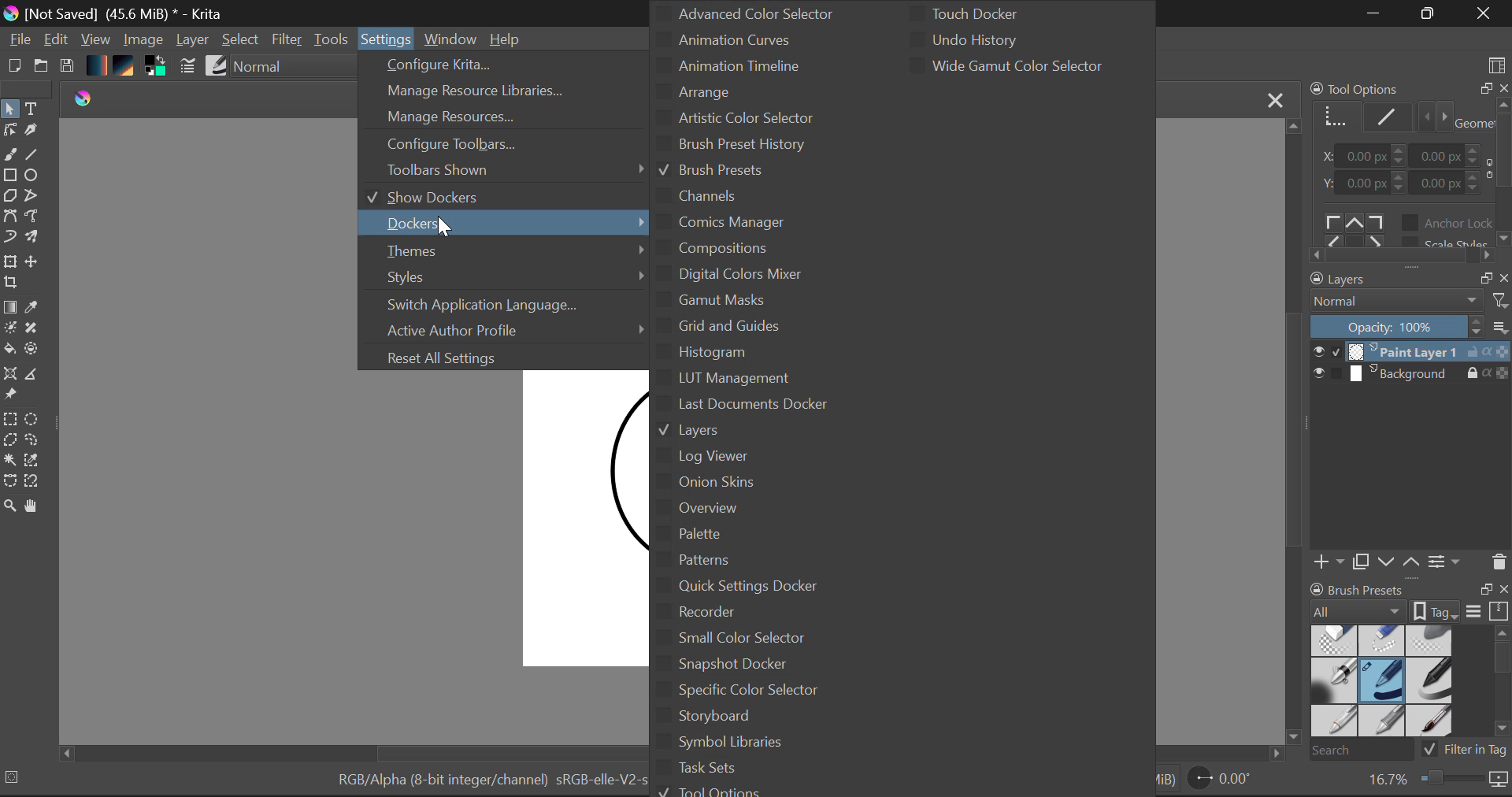 This screenshot has width=1512, height=797. What do you see at coordinates (1384, 683) in the screenshot?
I see `Brush Presets` at bounding box center [1384, 683].